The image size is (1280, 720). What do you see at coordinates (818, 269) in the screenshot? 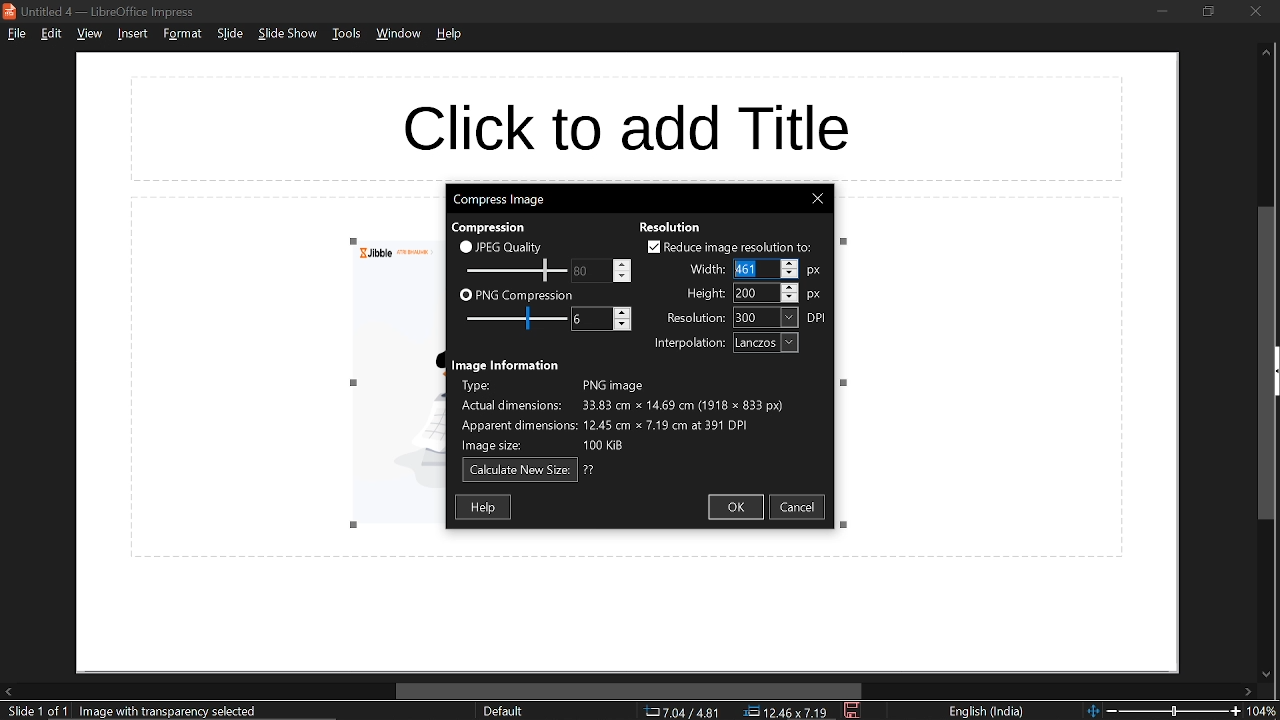
I see `px` at bounding box center [818, 269].